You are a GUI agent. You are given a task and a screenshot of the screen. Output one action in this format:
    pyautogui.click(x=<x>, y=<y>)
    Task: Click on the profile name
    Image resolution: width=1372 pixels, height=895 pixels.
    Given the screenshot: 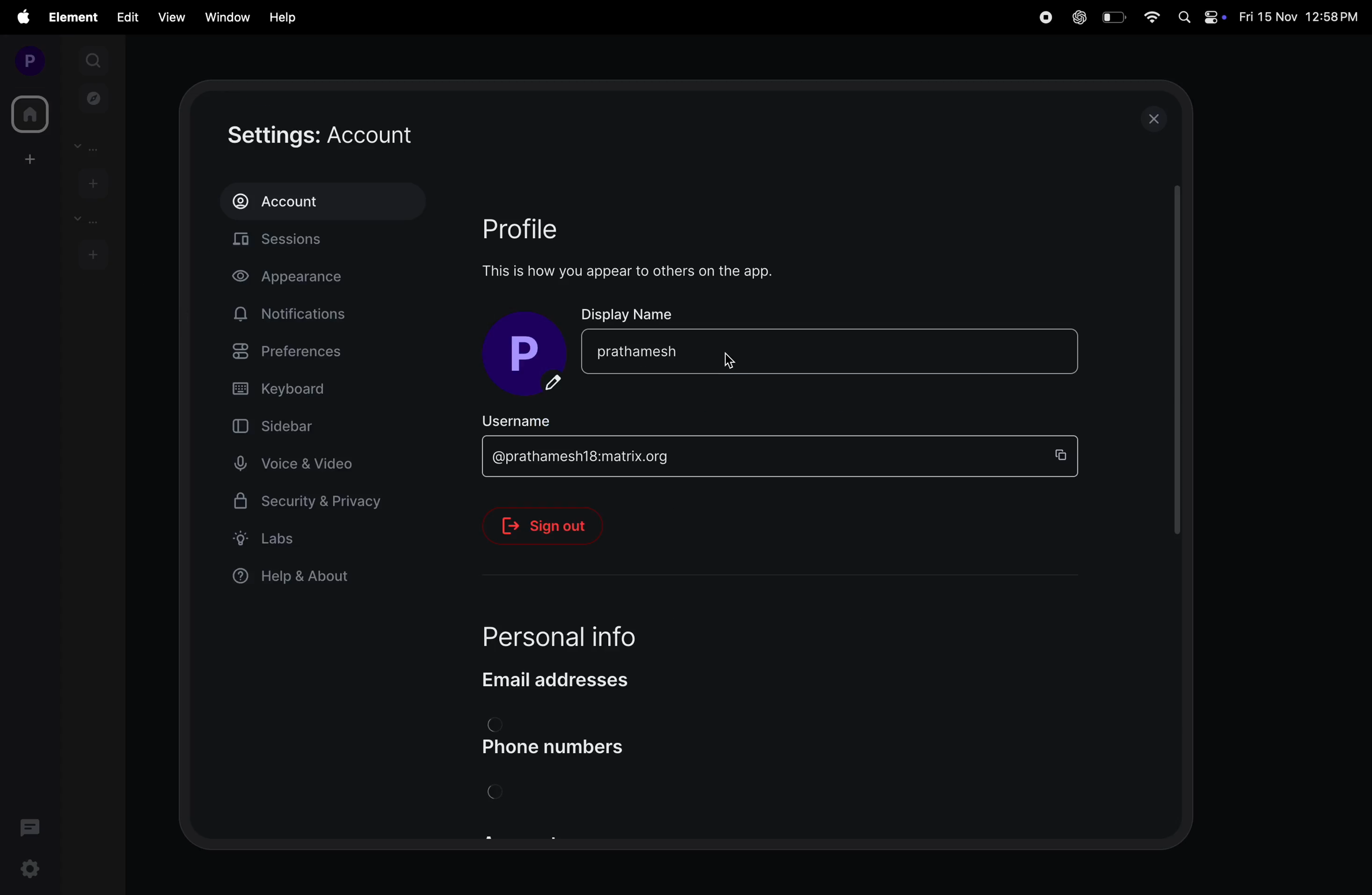 What is the action you would take?
    pyautogui.click(x=529, y=355)
    